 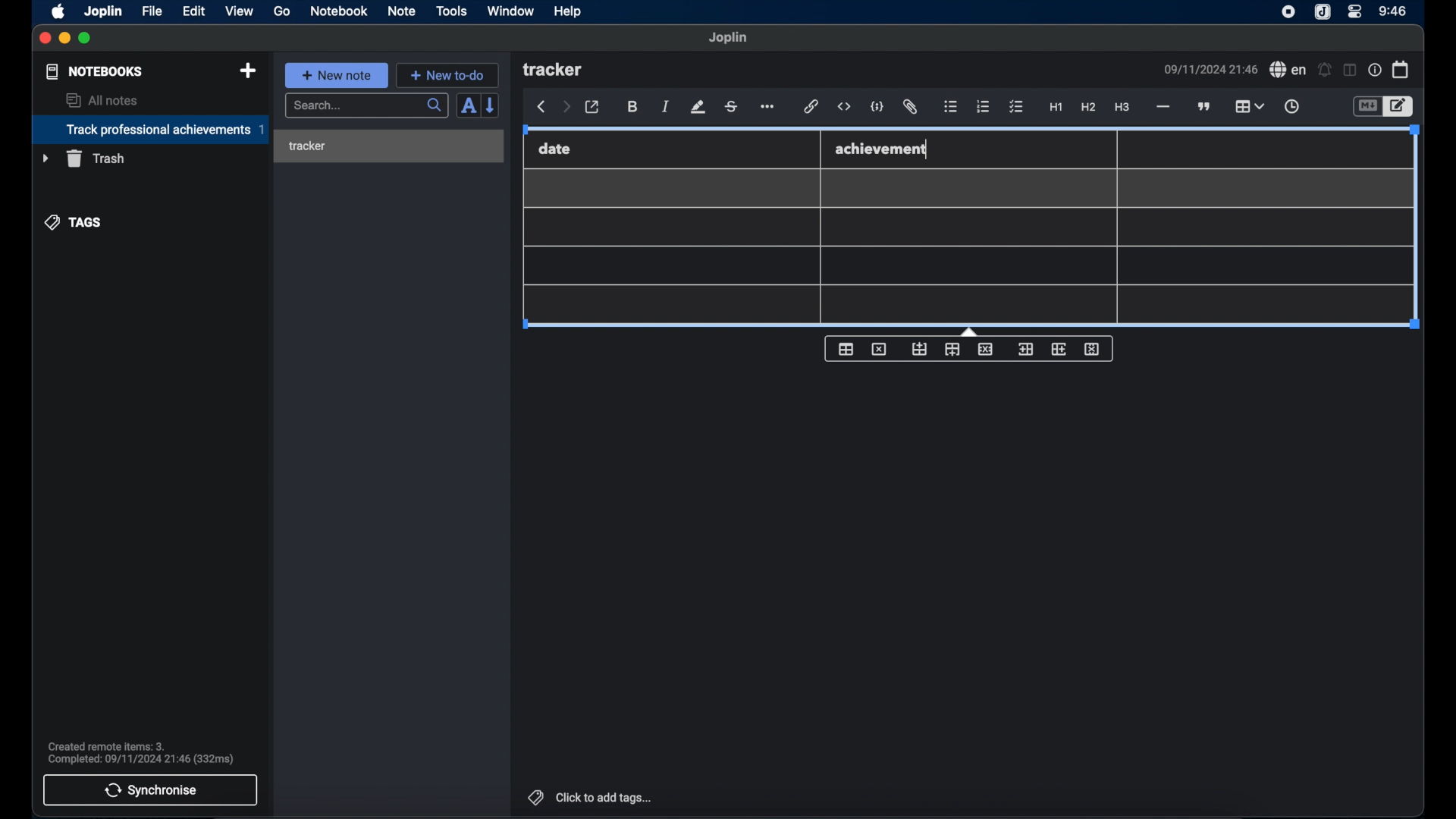 What do you see at coordinates (239, 11) in the screenshot?
I see `view` at bounding box center [239, 11].